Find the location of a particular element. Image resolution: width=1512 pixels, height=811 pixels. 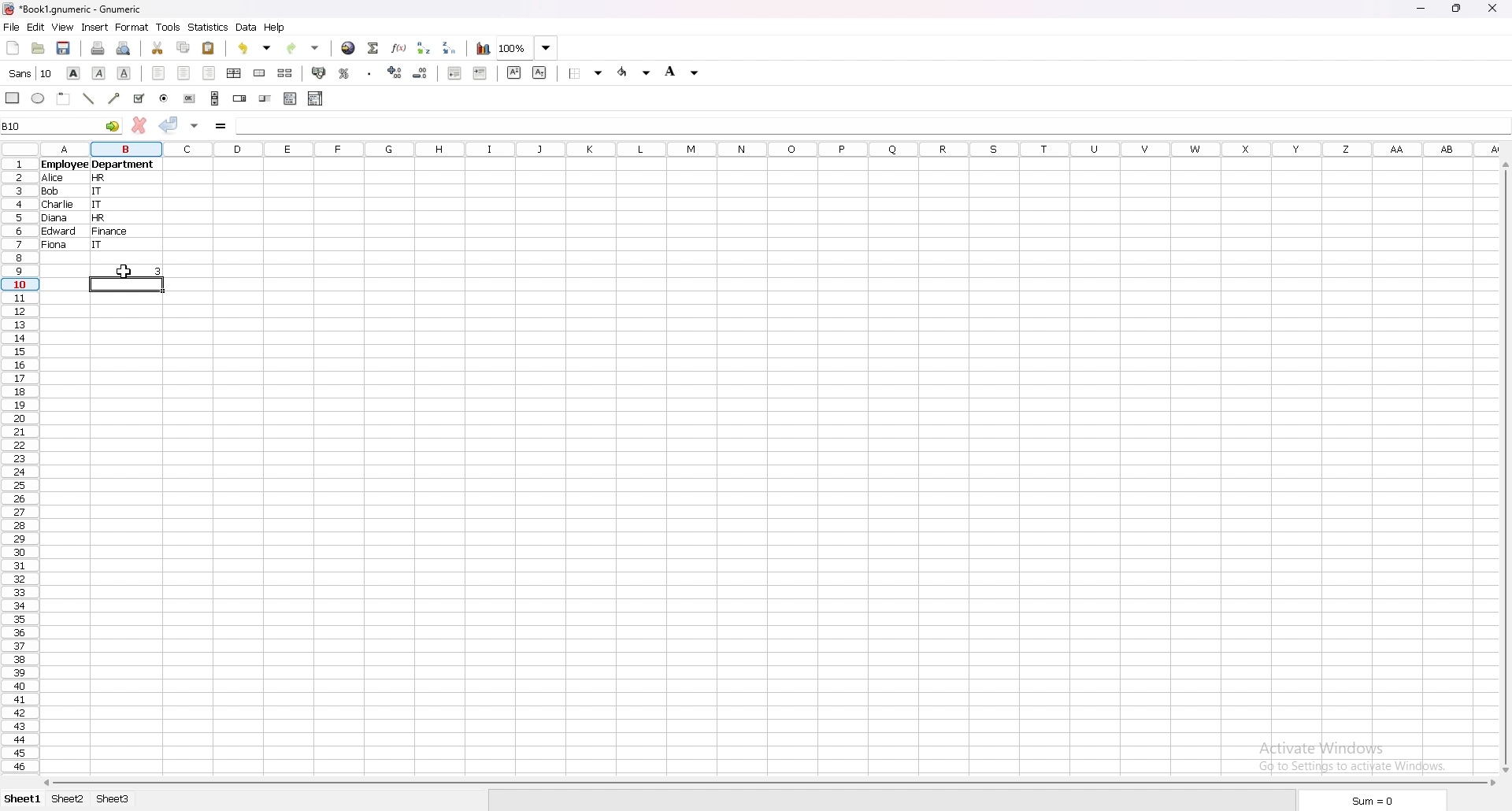

IT is located at coordinates (98, 206).